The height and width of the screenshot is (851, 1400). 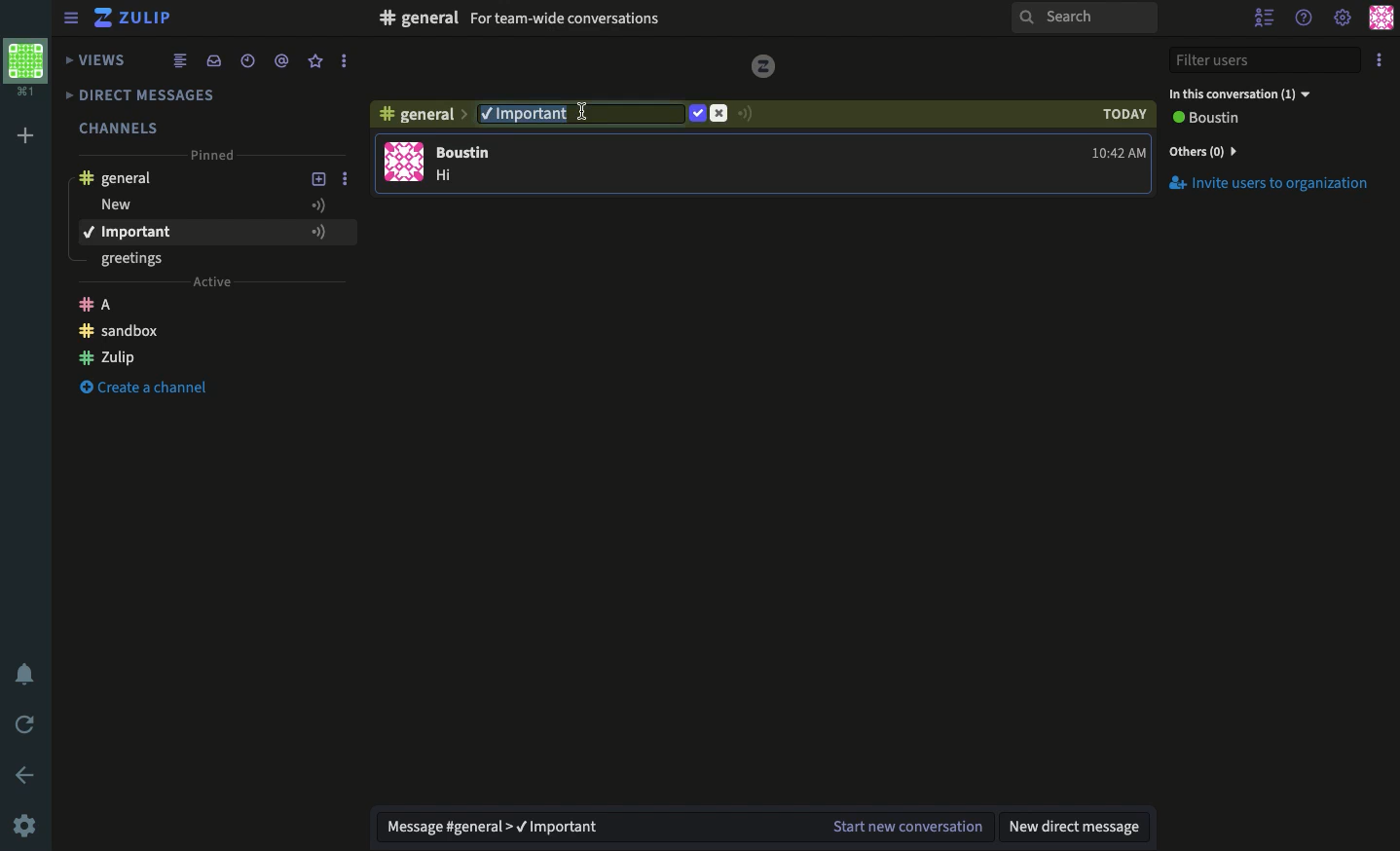 What do you see at coordinates (421, 118) in the screenshot?
I see `Channel` at bounding box center [421, 118].